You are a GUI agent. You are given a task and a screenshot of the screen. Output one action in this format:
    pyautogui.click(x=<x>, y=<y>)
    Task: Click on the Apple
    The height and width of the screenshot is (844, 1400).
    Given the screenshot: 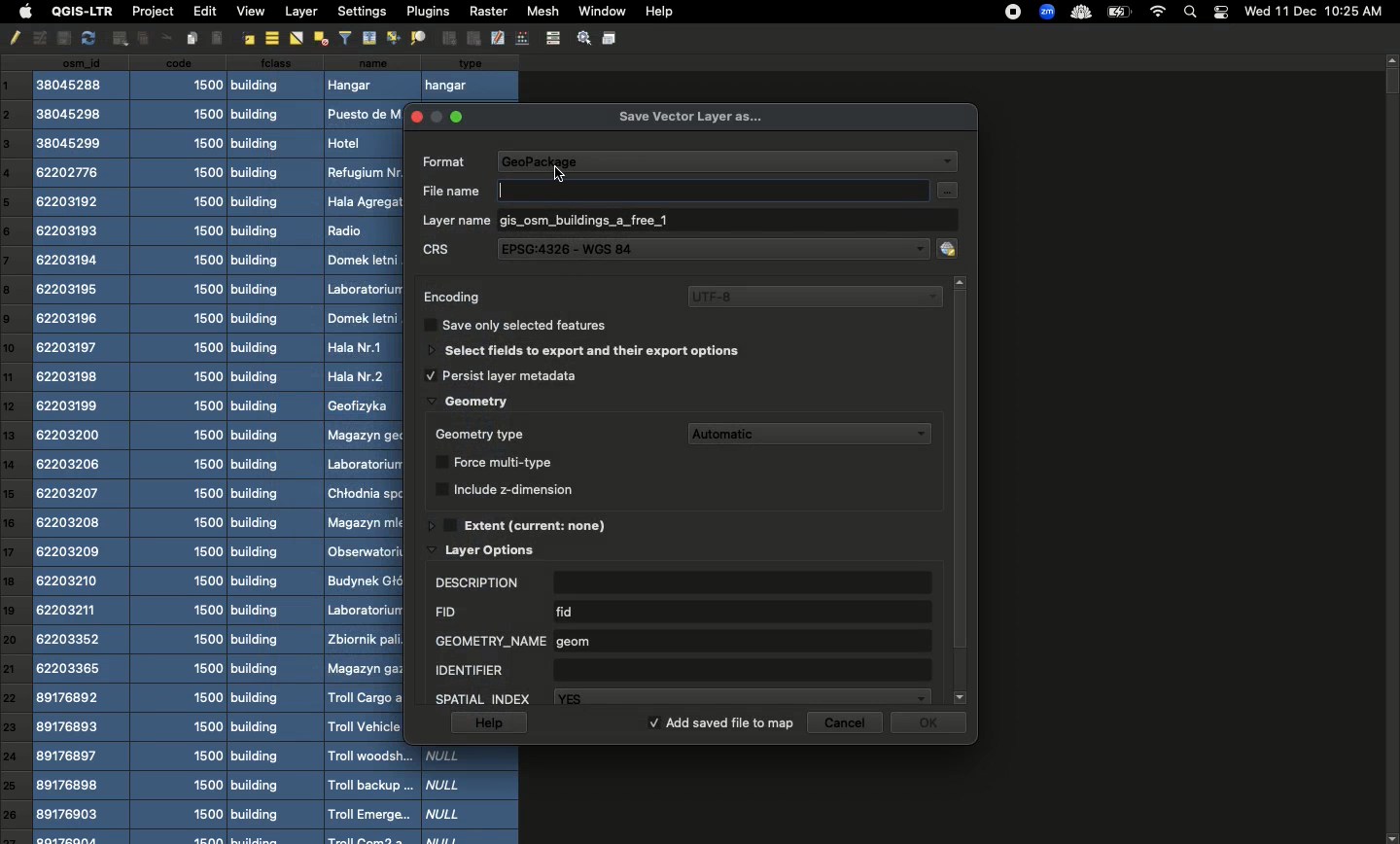 What is the action you would take?
    pyautogui.click(x=22, y=13)
    